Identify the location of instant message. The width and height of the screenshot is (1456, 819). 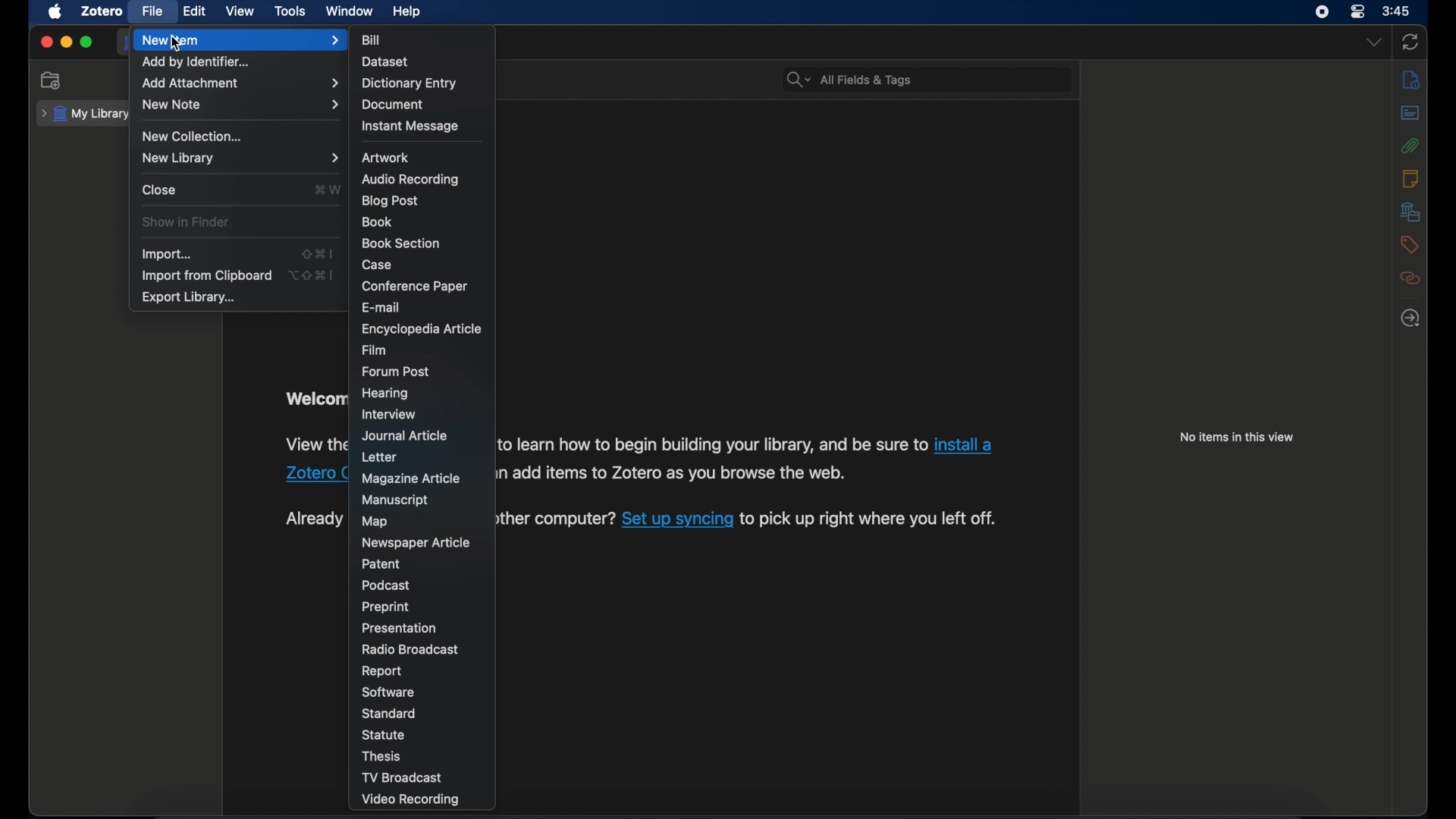
(409, 127).